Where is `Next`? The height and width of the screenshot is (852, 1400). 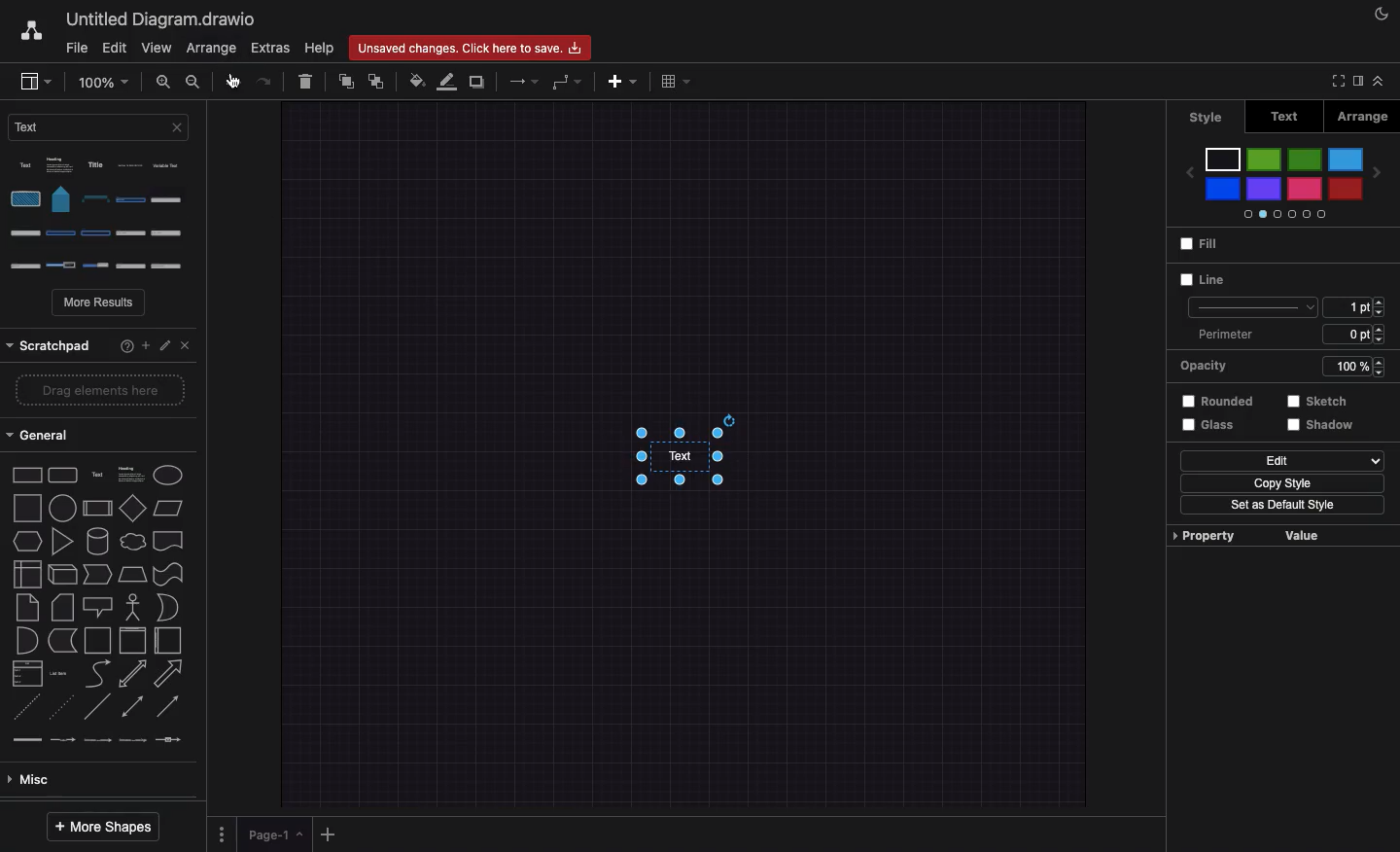
Next is located at coordinates (1381, 170).